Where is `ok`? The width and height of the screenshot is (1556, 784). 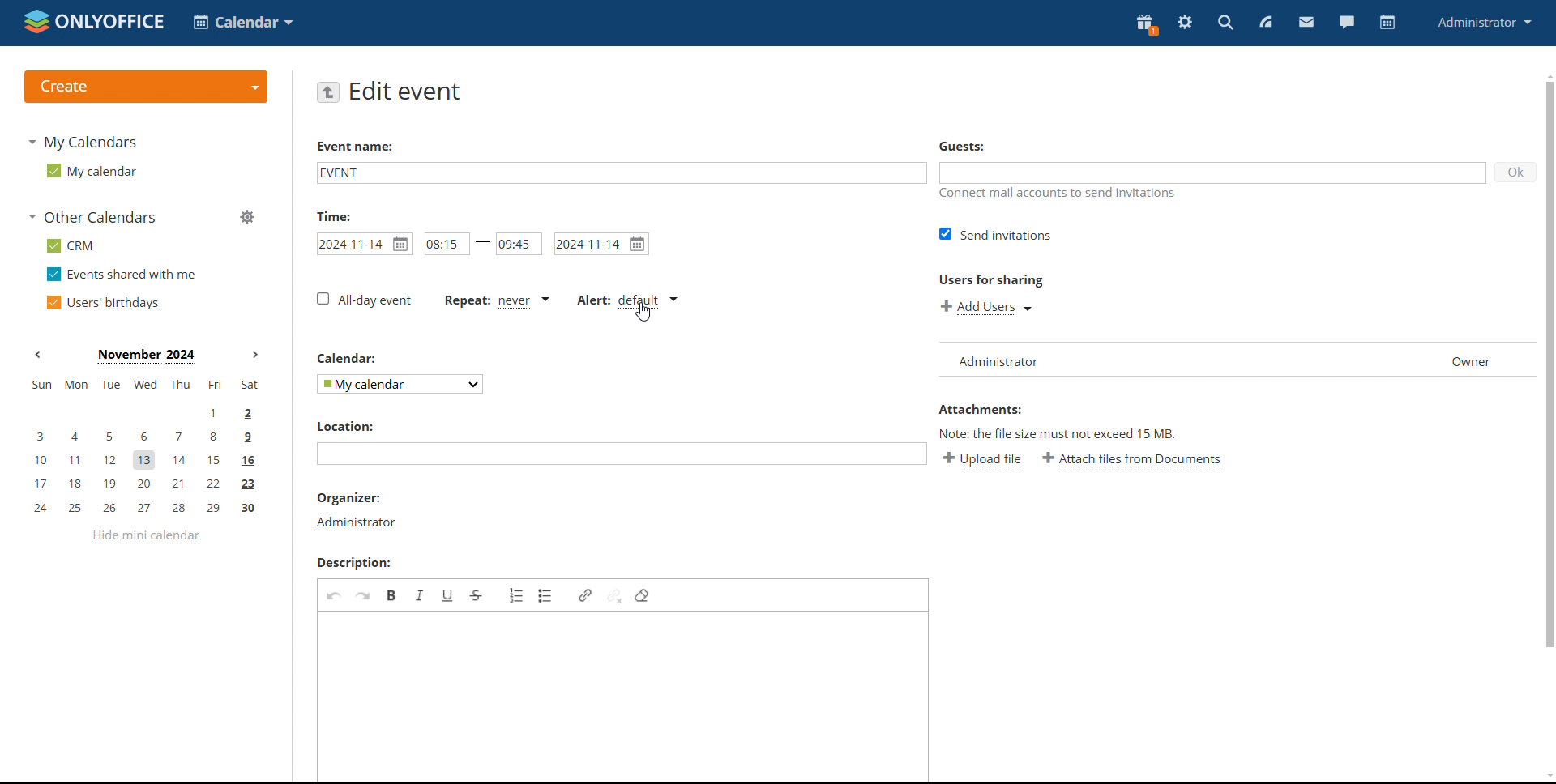
ok is located at coordinates (1516, 172).